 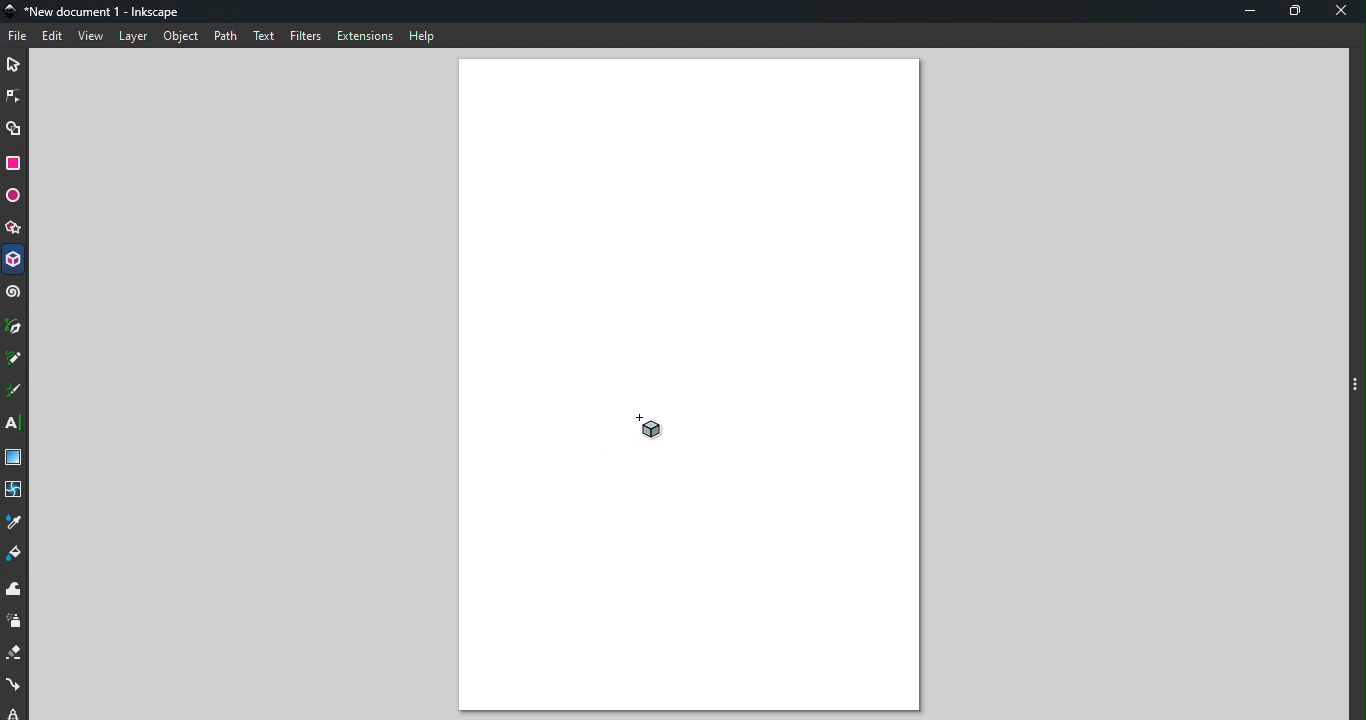 I want to click on Spray tool, so click(x=15, y=624).